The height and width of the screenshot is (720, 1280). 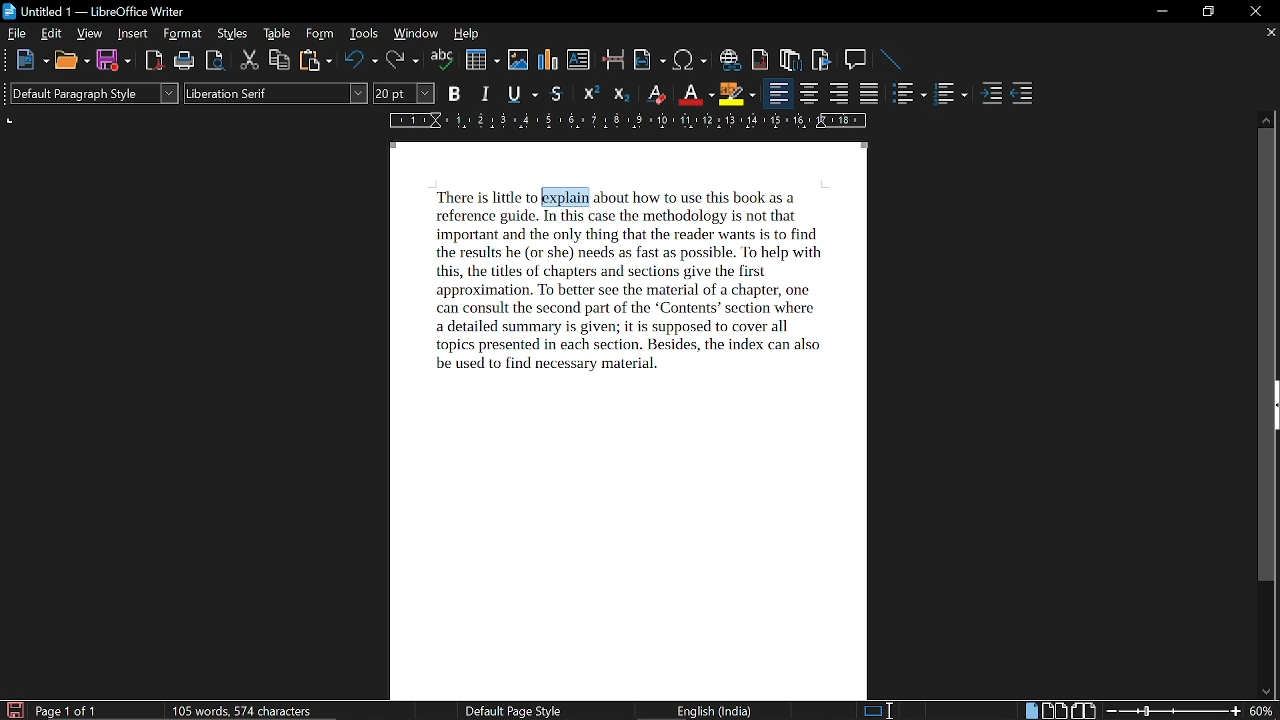 What do you see at coordinates (482, 60) in the screenshot?
I see `insert table` at bounding box center [482, 60].